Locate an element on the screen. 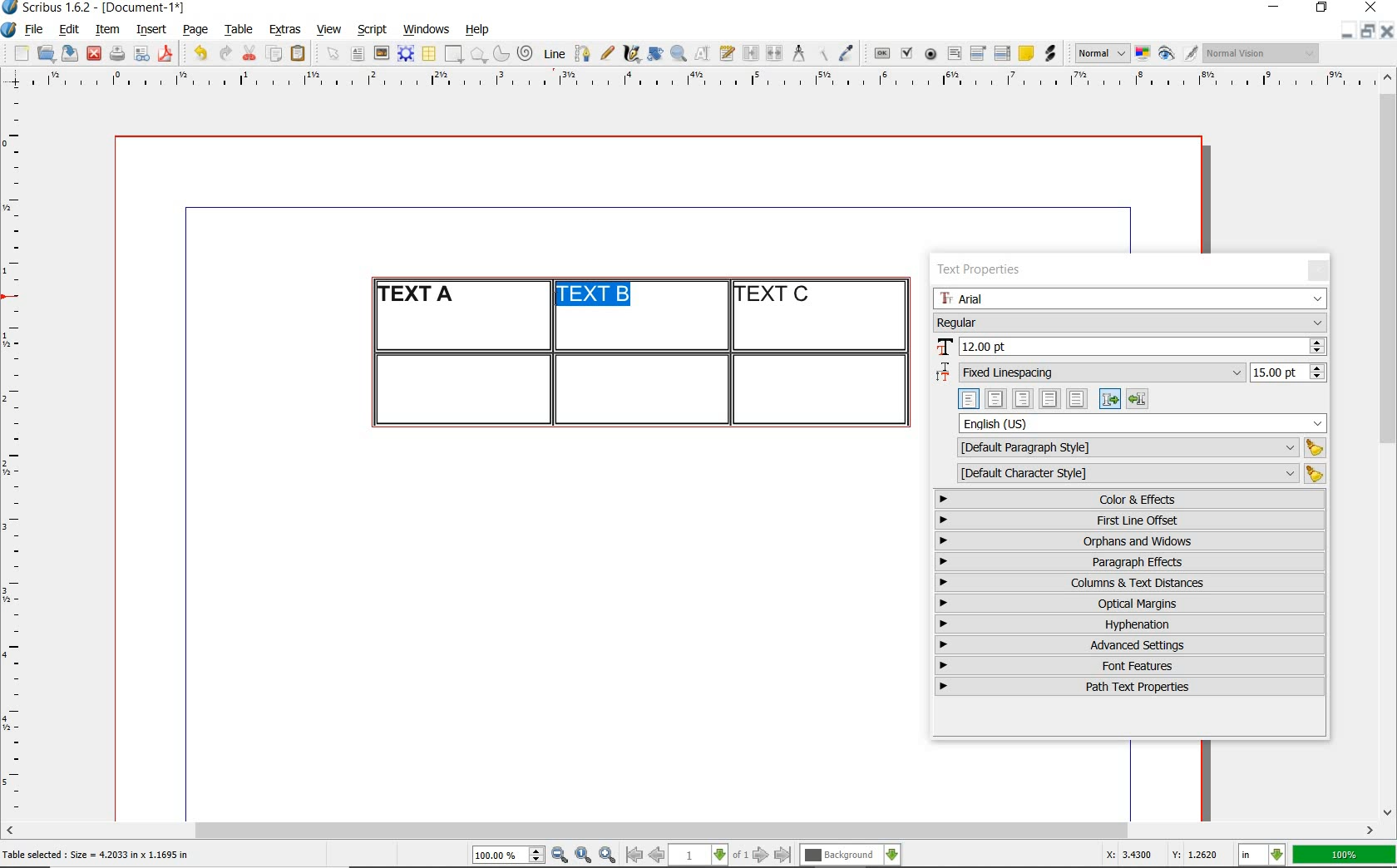 The width and height of the screenshot is (1397, 868). select current zoom level is located at coordinates (509, 855).